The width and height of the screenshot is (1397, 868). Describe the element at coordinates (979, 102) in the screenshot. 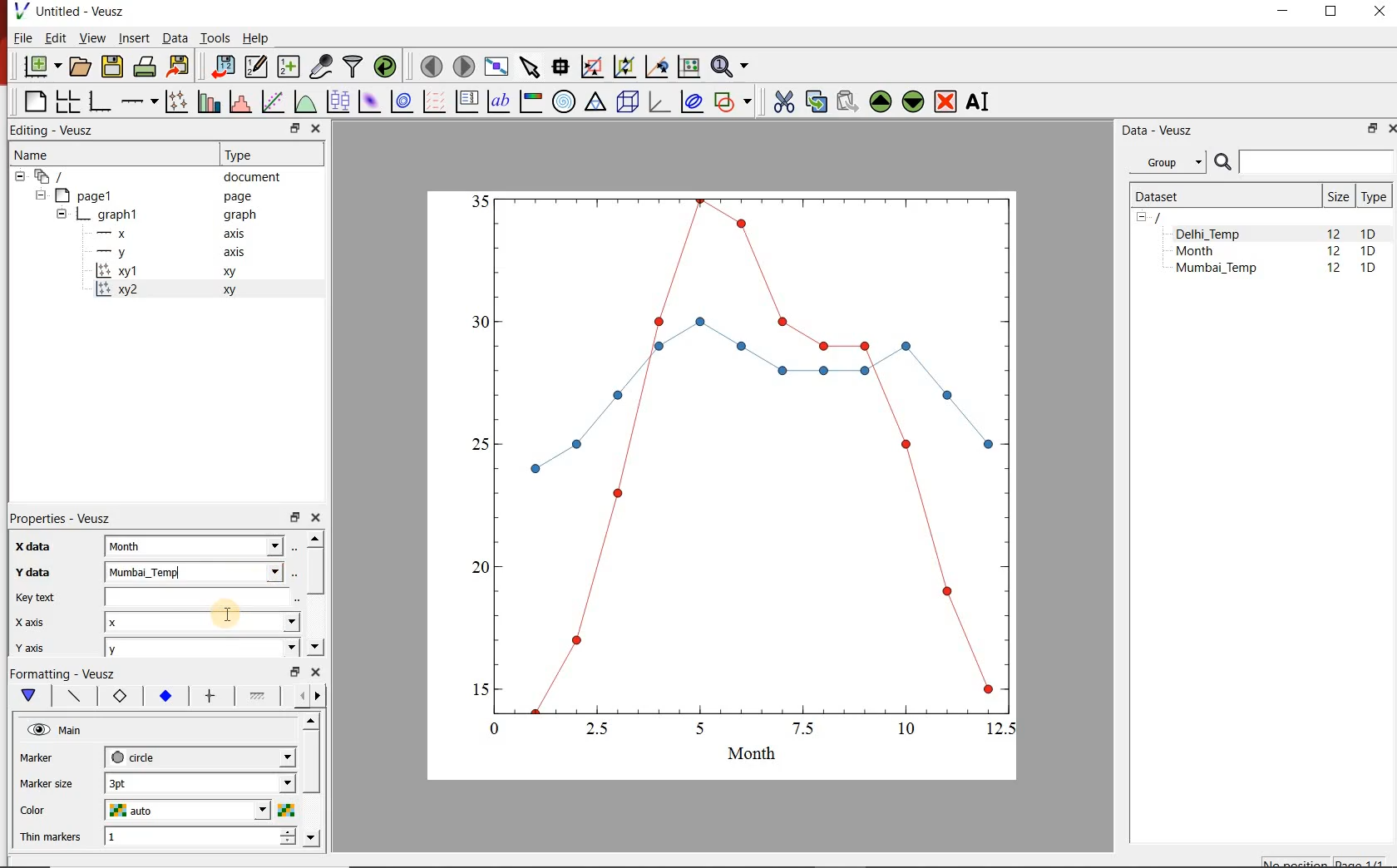

I see `renames the selected widget` at that location.